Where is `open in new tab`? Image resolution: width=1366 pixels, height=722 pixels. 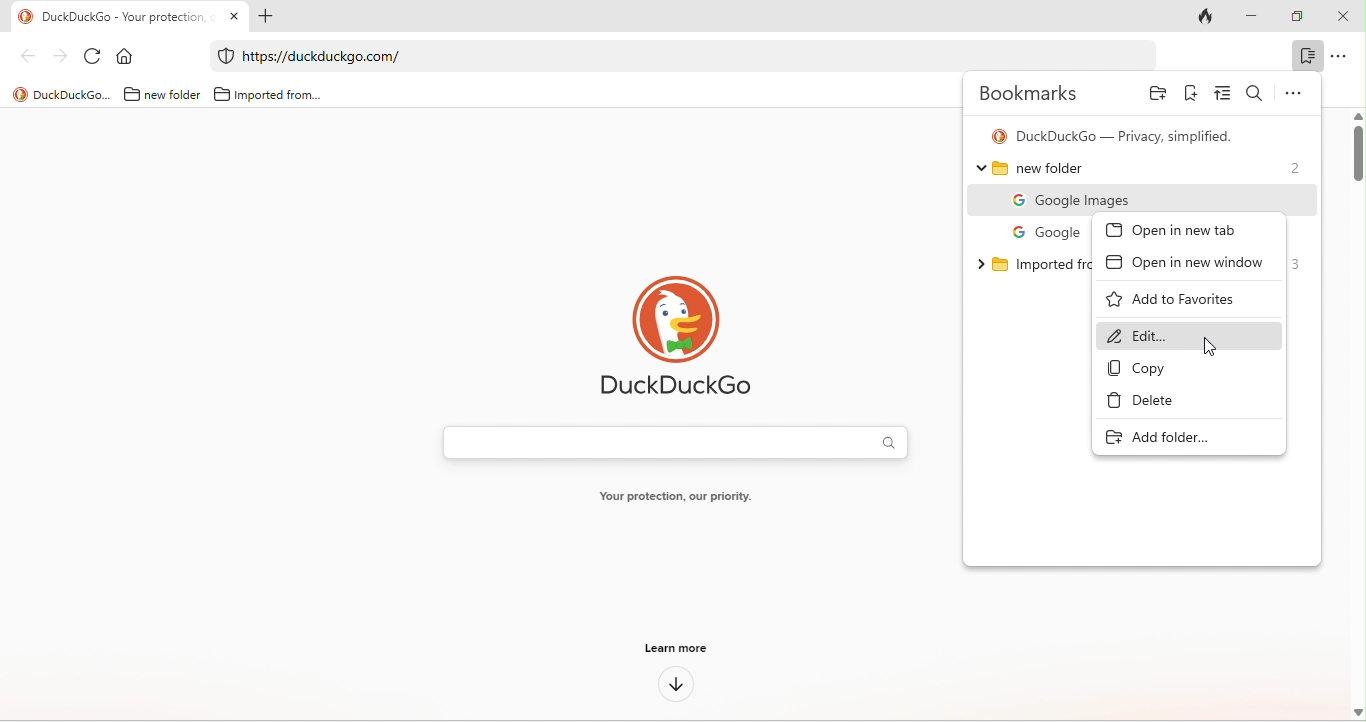
open in new tab is located at coordinates (1177, 232).